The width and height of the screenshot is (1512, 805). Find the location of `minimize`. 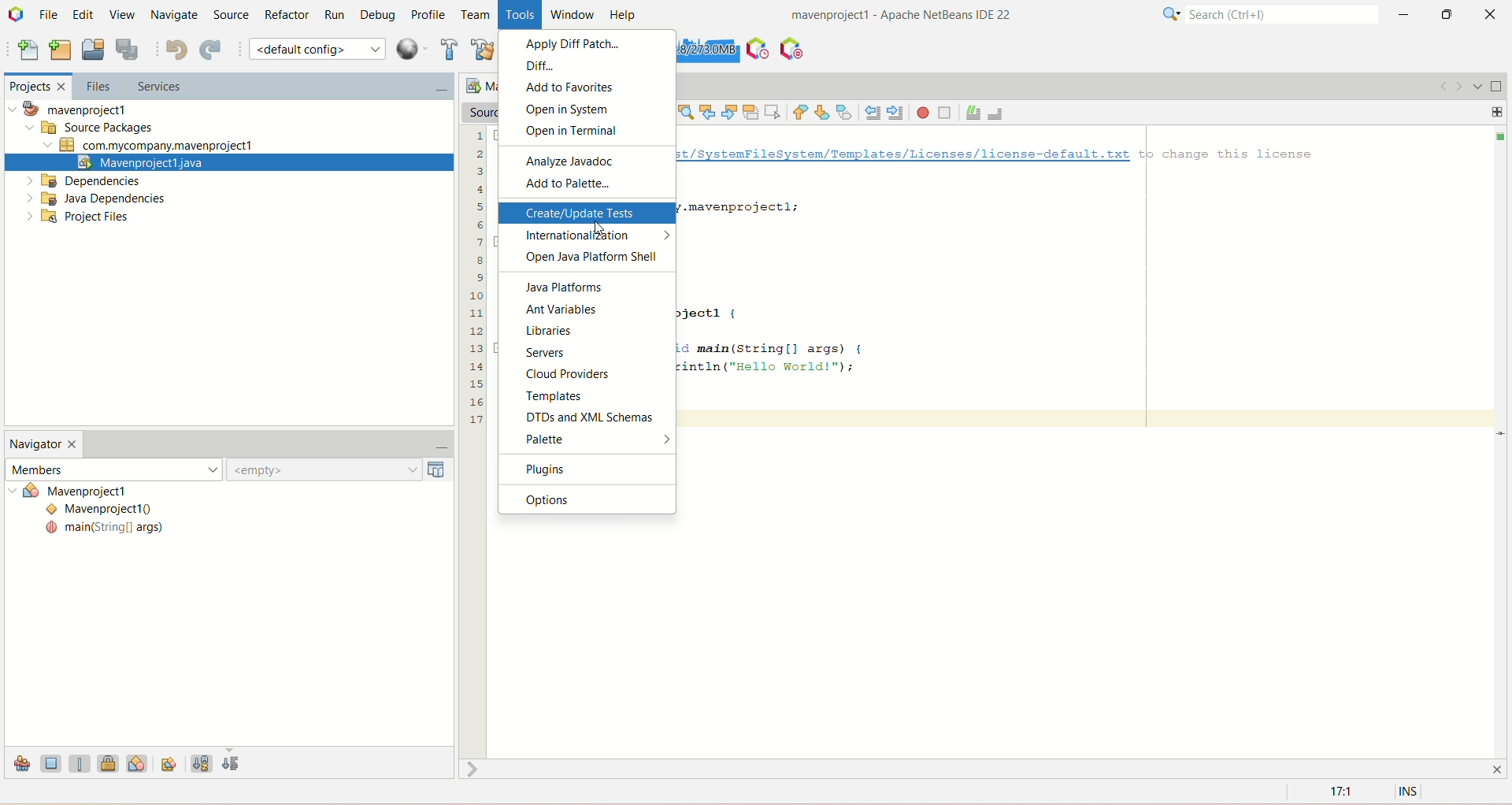

minimize is located at coordinates (434, 448).